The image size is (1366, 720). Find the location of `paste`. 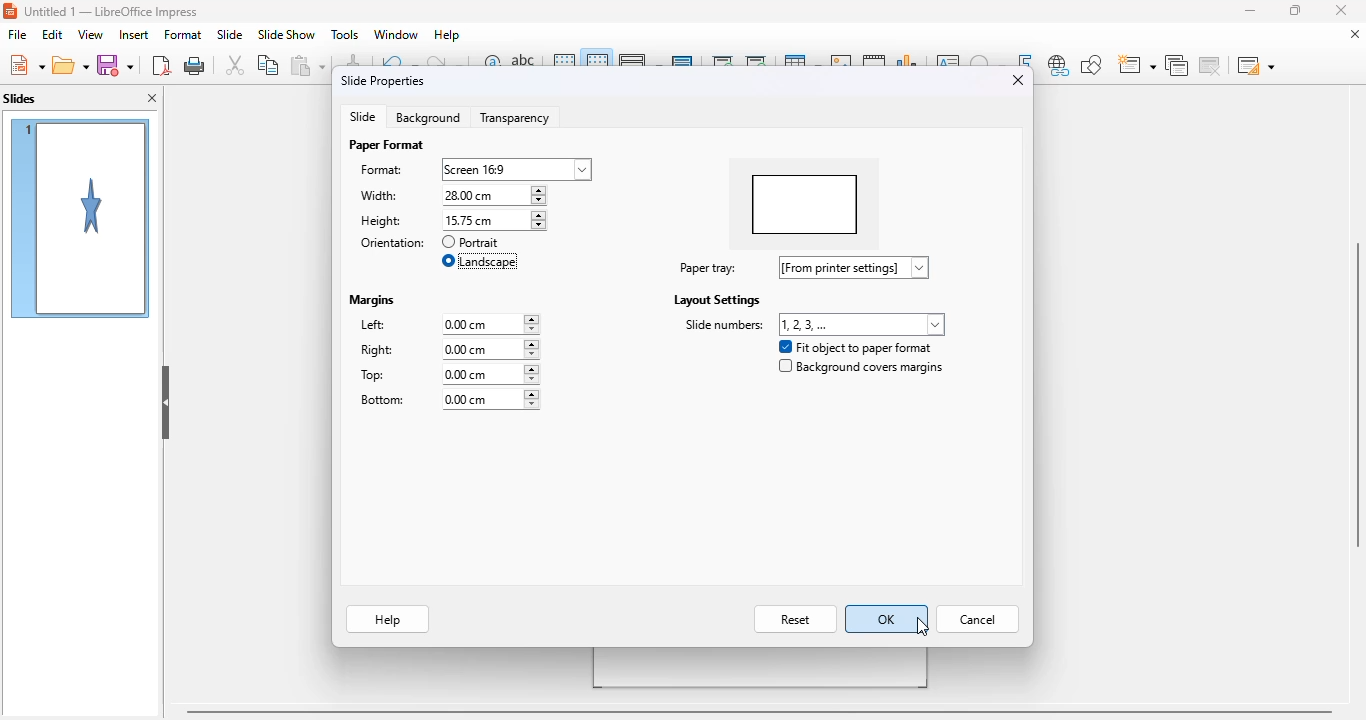

paste is located at coordinates (307, 64).